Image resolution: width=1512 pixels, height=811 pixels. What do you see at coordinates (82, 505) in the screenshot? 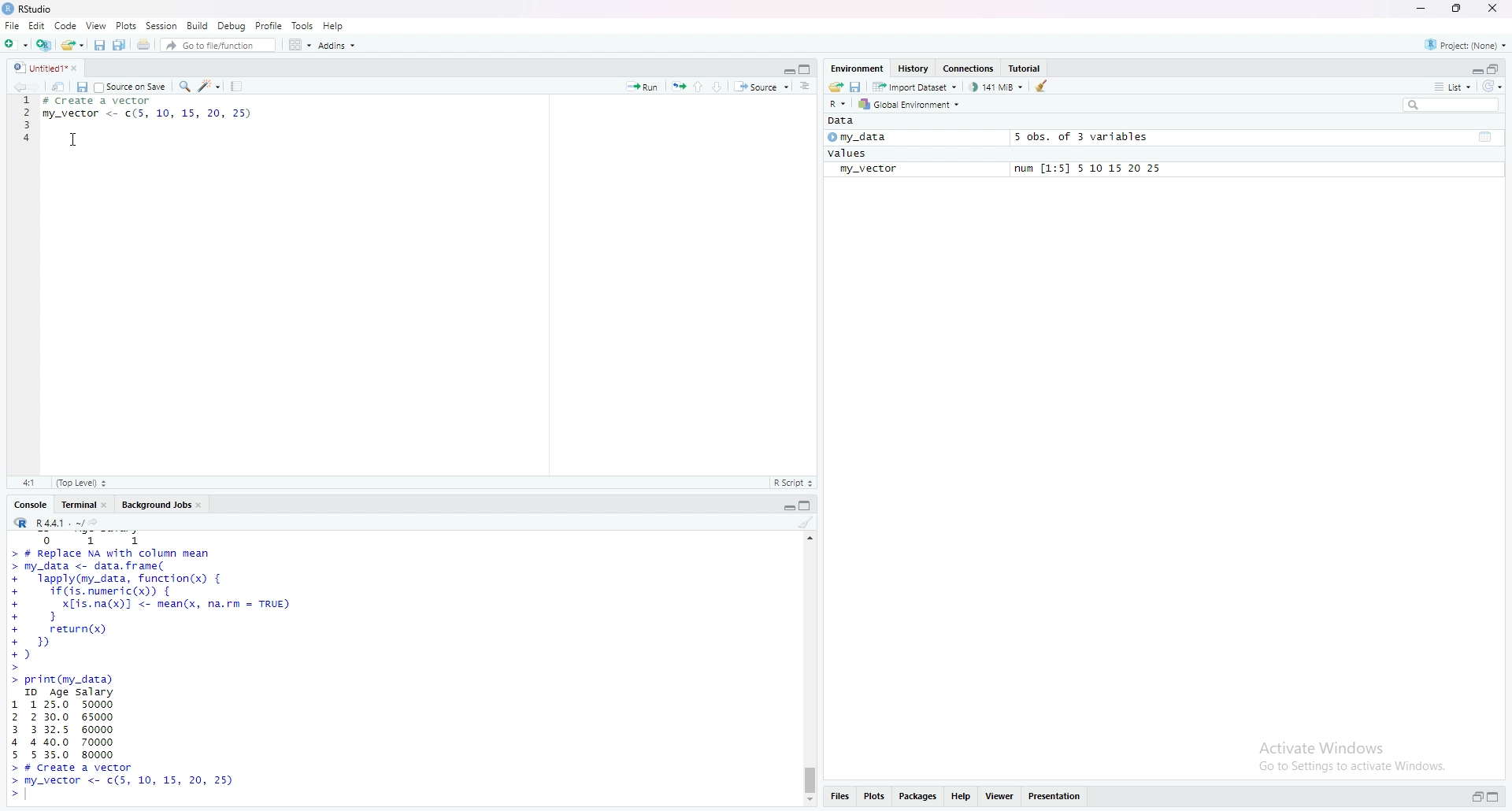
I see `terminal` at bounding box center [82, 505].